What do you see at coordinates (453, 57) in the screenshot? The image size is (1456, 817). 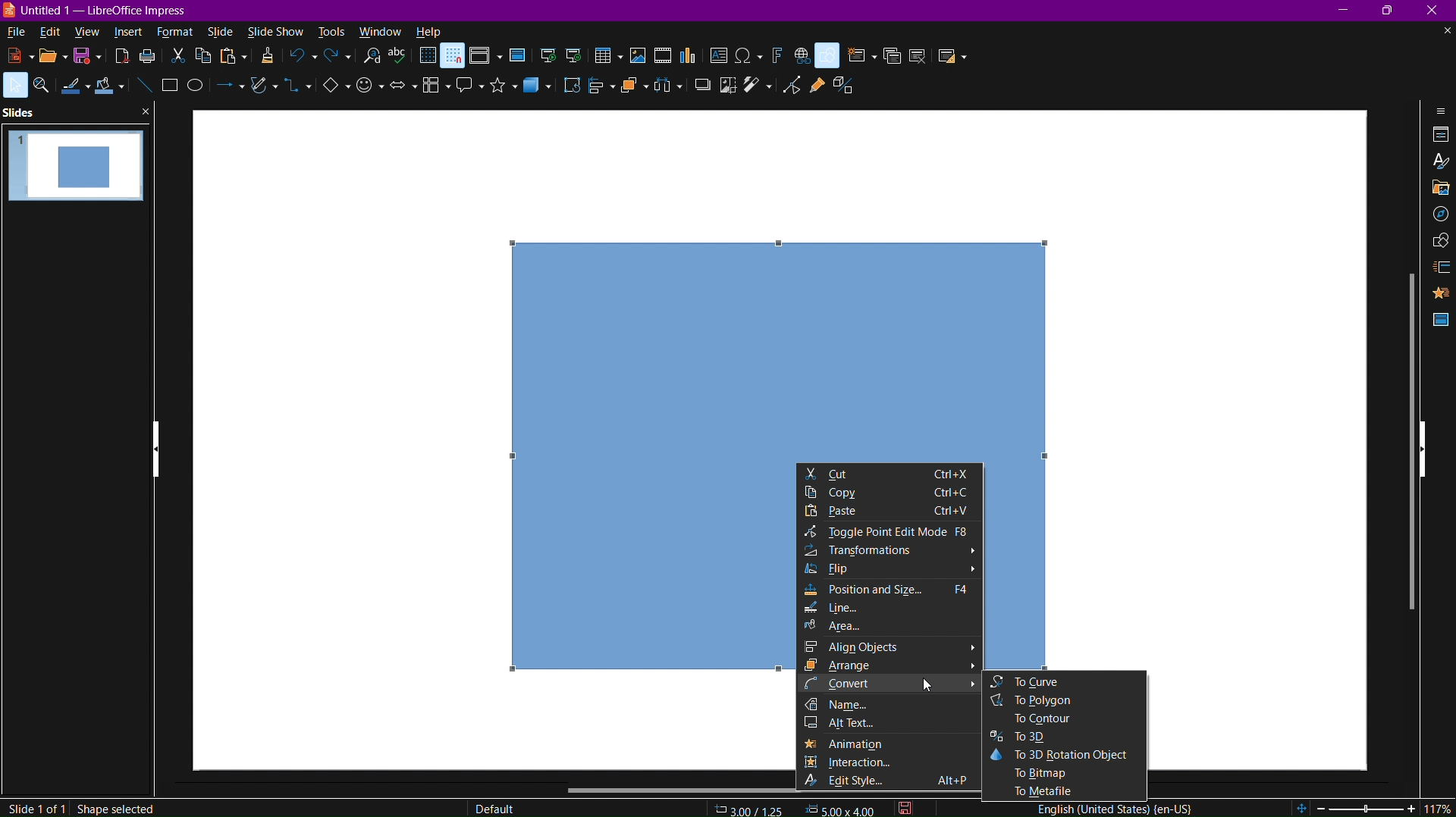 I see `Snap to Grid` at bounding box center [453, 57].